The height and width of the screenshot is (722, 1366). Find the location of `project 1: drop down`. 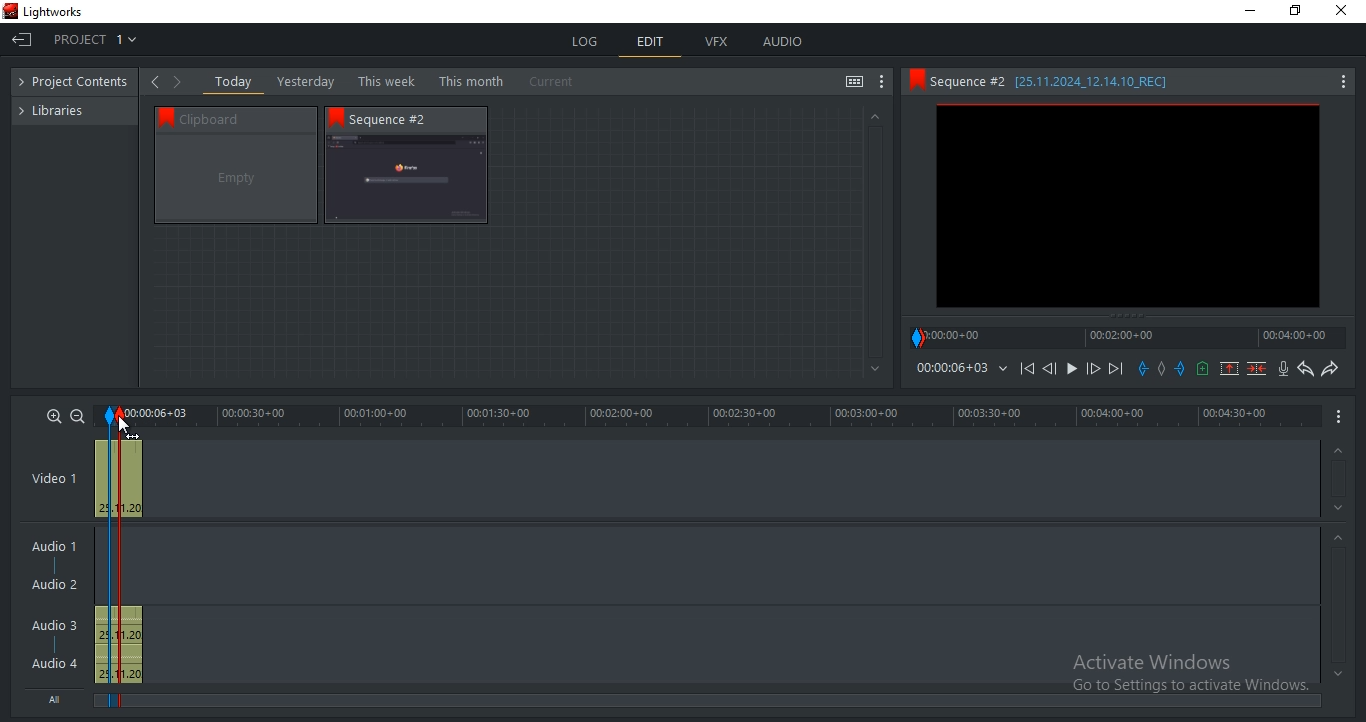

project 1: drop down is located at coordinates (95, 39).